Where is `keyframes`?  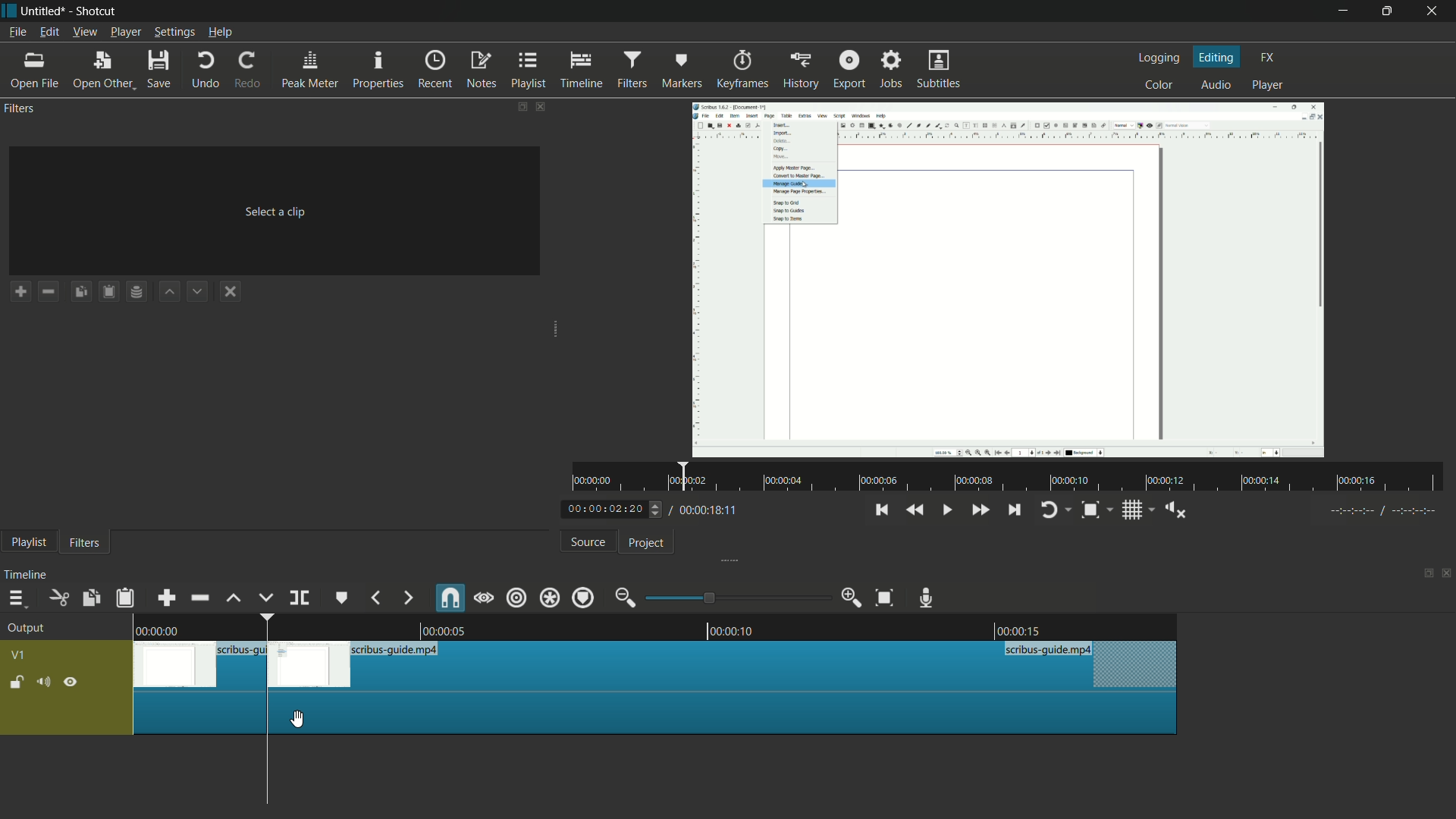 keyframes is located at coordinates (745, 71).